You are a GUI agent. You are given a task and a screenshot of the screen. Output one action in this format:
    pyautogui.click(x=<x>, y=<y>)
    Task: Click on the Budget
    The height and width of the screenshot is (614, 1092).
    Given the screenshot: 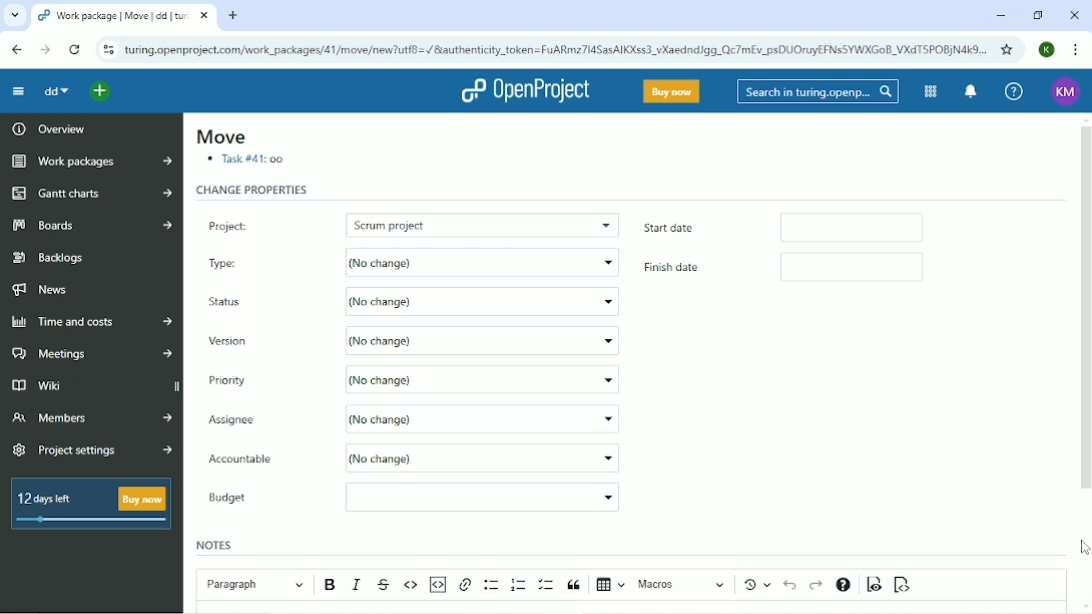 What is the action you would take?
    pyautogui.click(x=232, y=499)
    